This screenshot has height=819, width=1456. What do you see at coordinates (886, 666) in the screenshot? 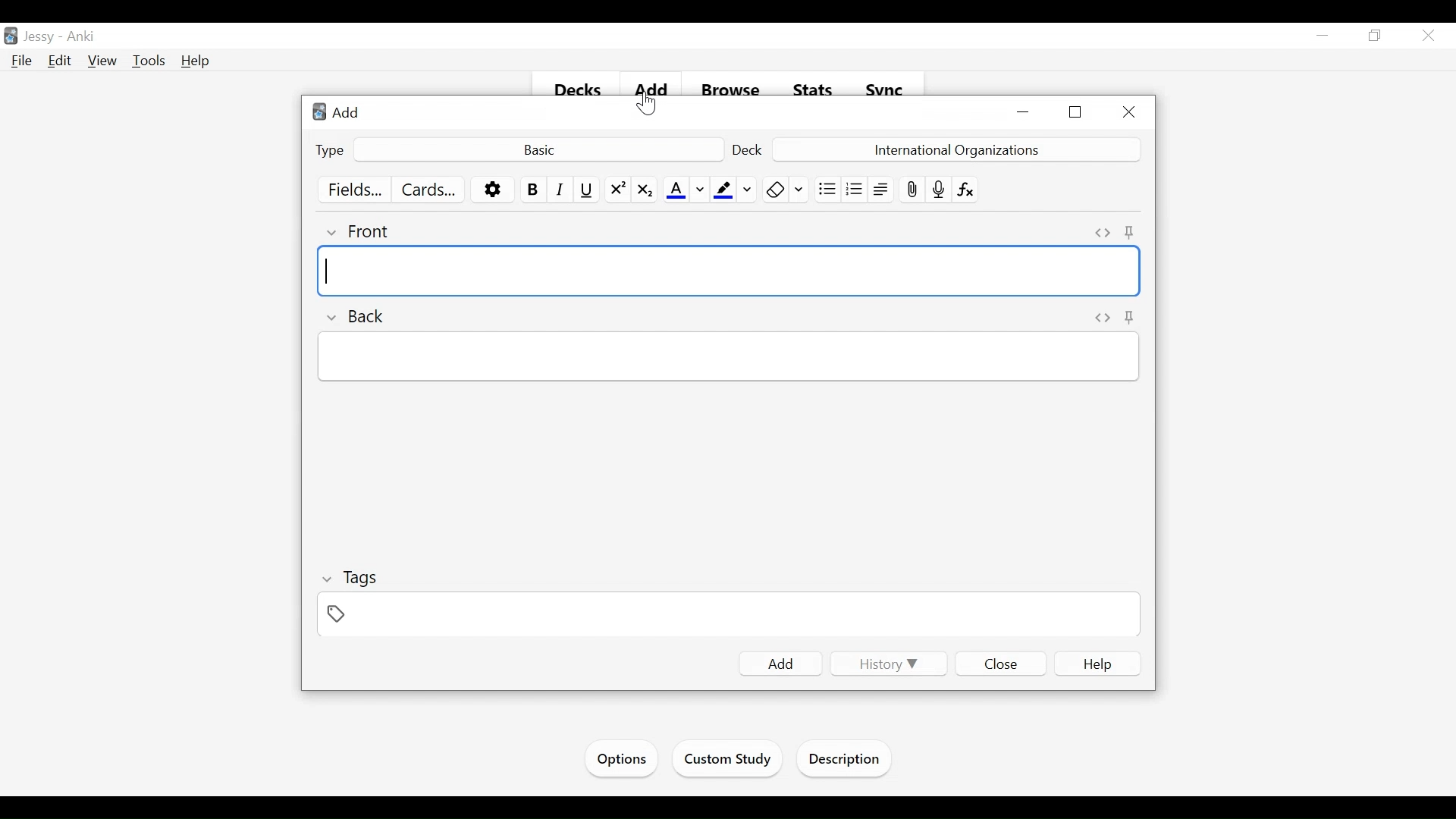
I see `History` at bounding box center [886, 666].